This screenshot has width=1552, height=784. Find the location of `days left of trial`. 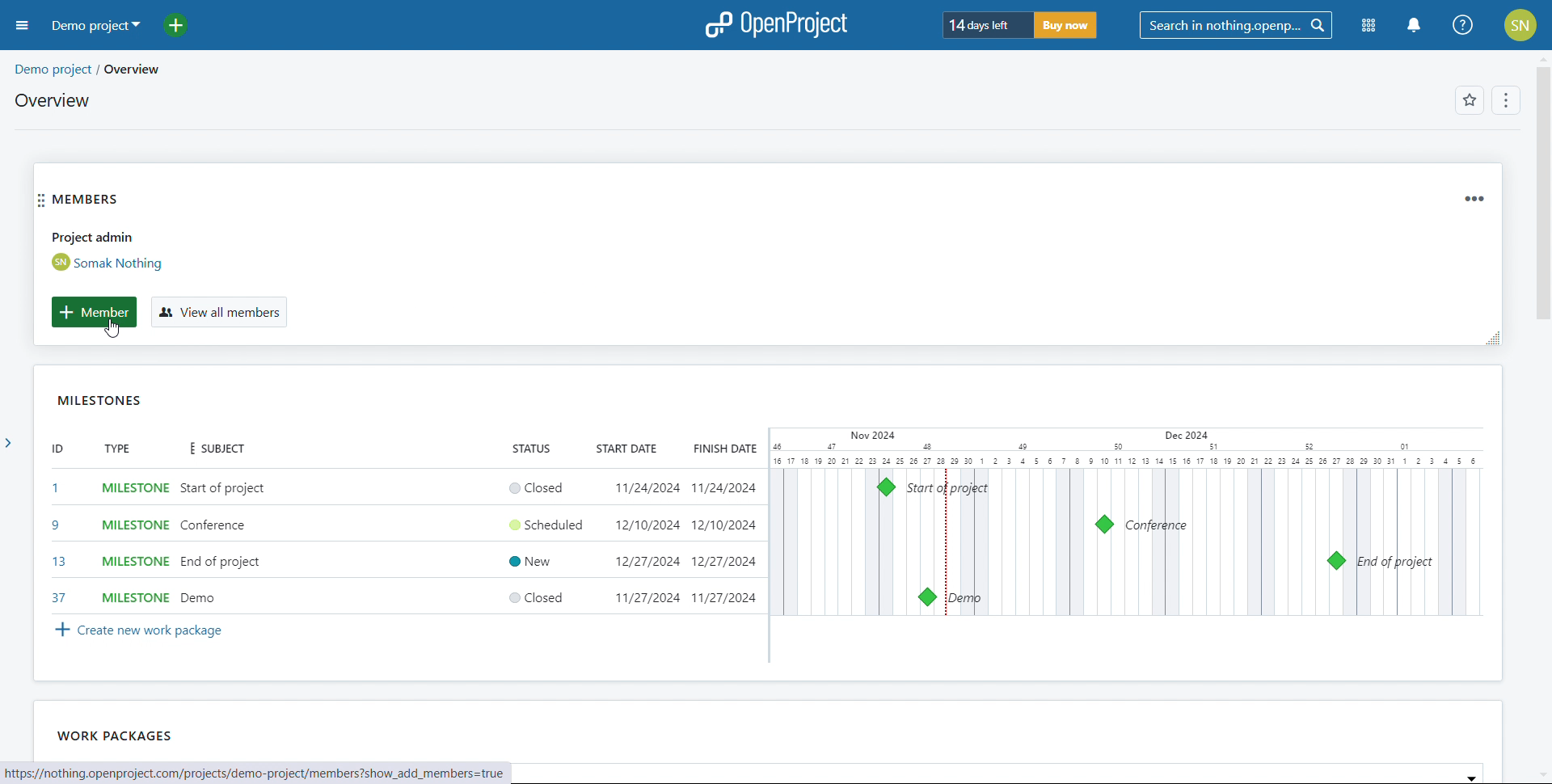

days left of trial is located at coordinates (983, 24).